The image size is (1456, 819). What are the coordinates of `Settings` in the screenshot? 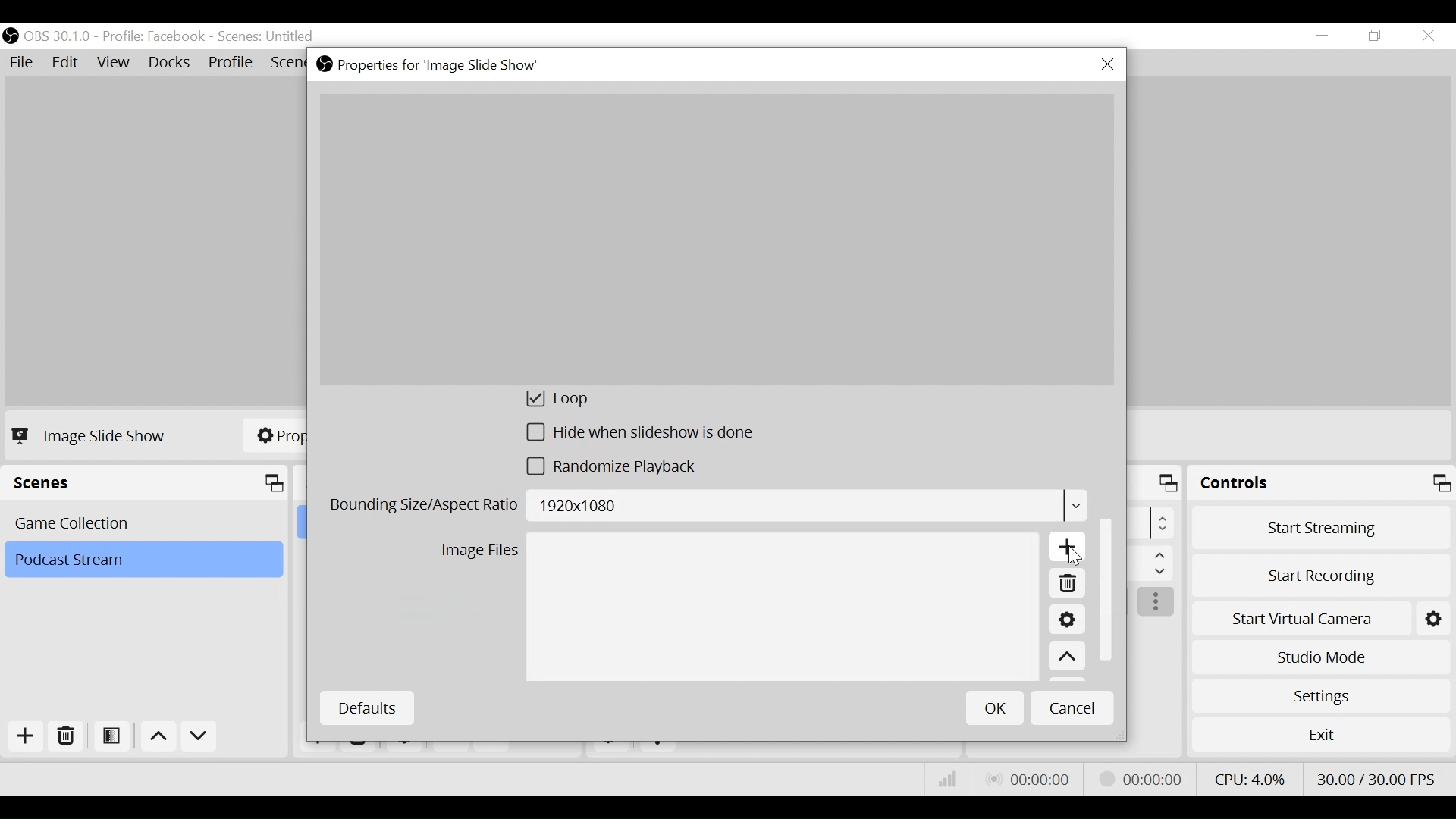 It's located at (1320, 695).